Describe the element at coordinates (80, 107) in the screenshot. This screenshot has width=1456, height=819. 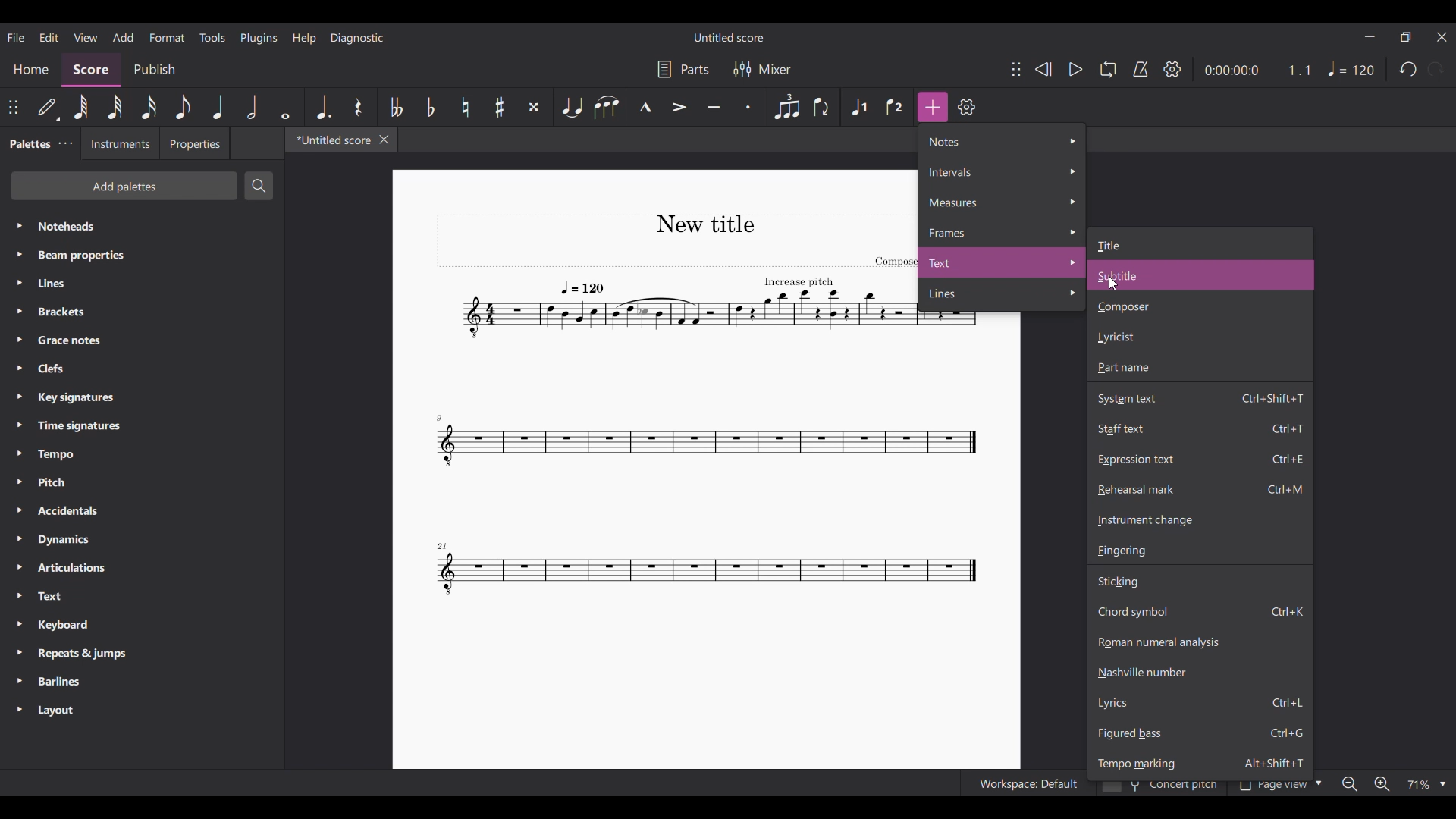
I see `64th note` at that location.